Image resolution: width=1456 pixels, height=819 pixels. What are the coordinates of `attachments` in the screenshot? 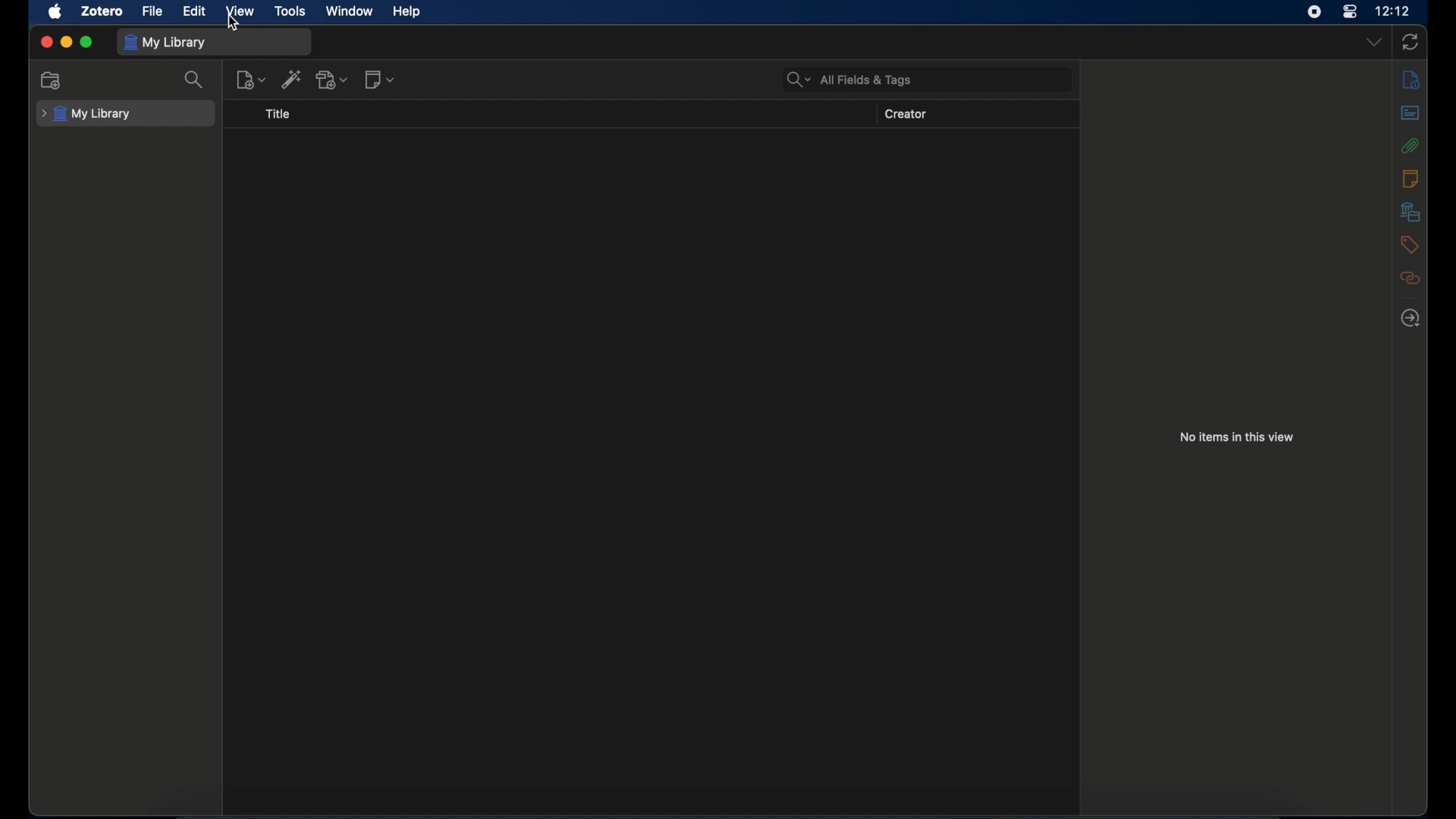 It's located at (1410, 146).